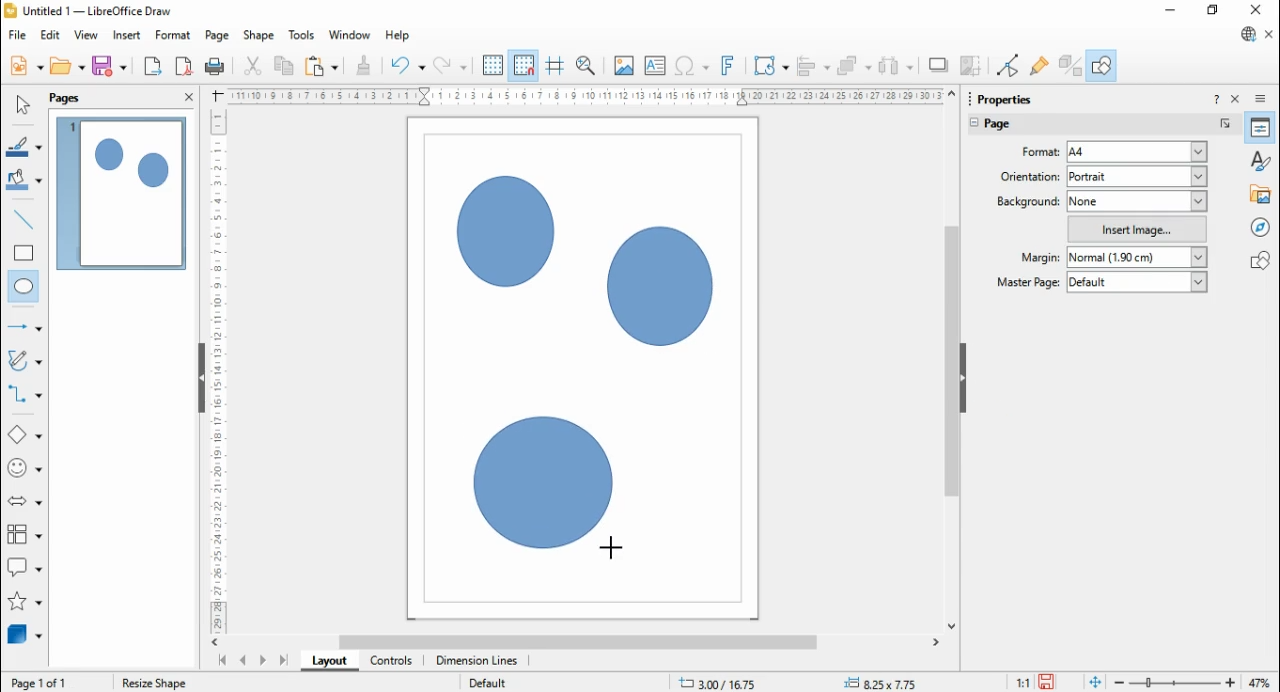 The height and width of the screenshot is (692, 1280). I want to click on += 0,00x 0.00, so click(886, 682).